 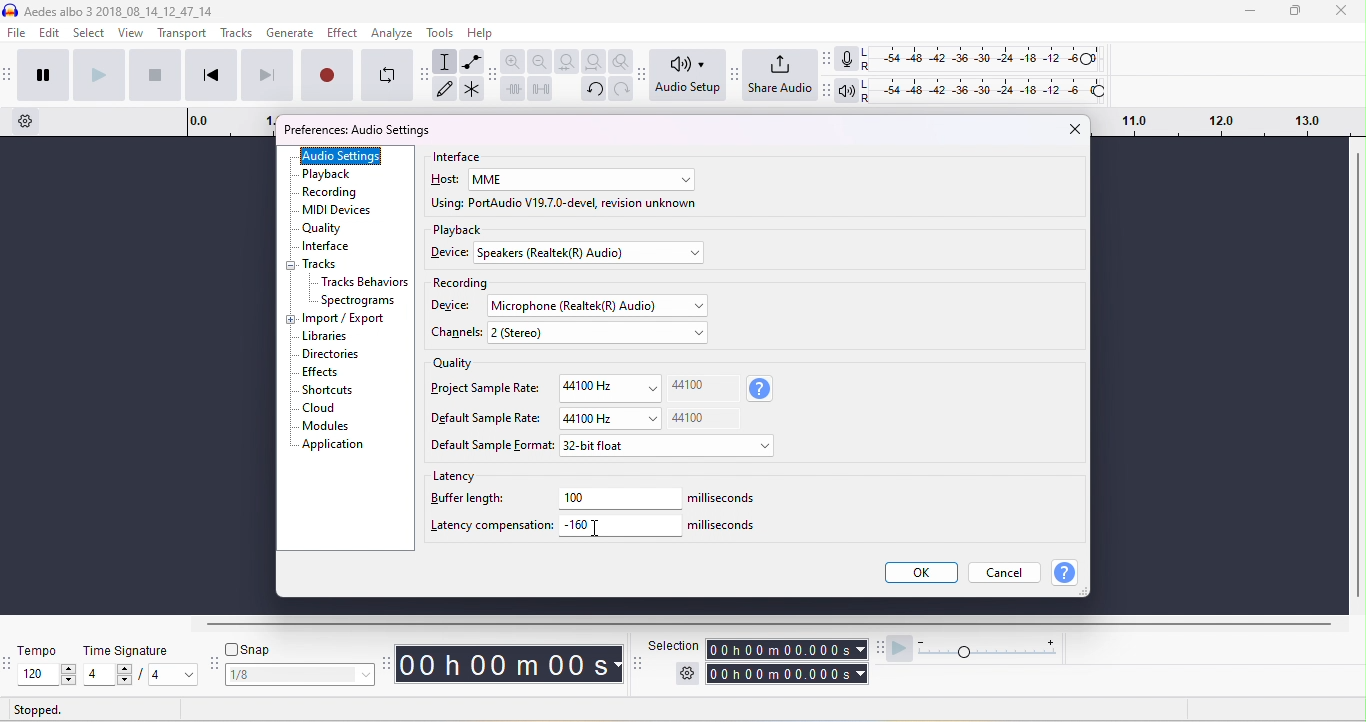 What do you see at coordinates (594, 89) in the screenshot?
I see `undo` at bounding box center [594, 89].